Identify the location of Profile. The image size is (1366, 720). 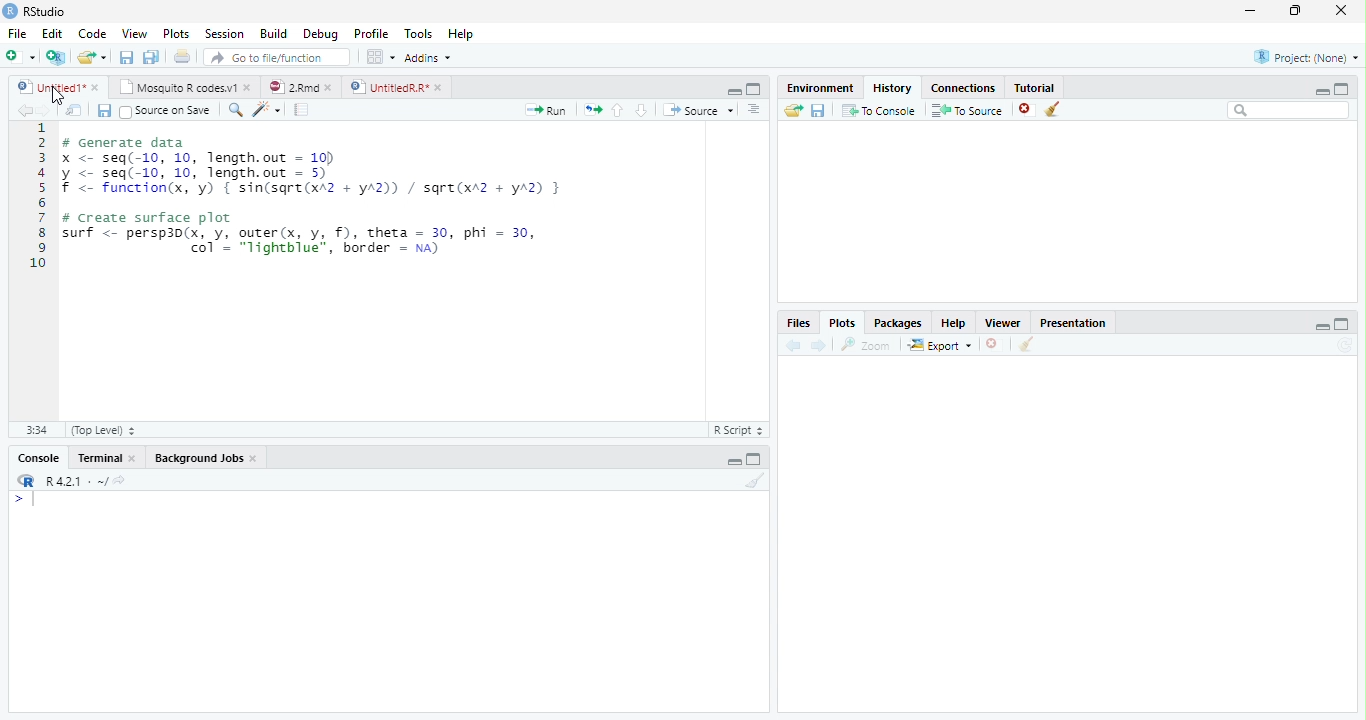
(372, 33).